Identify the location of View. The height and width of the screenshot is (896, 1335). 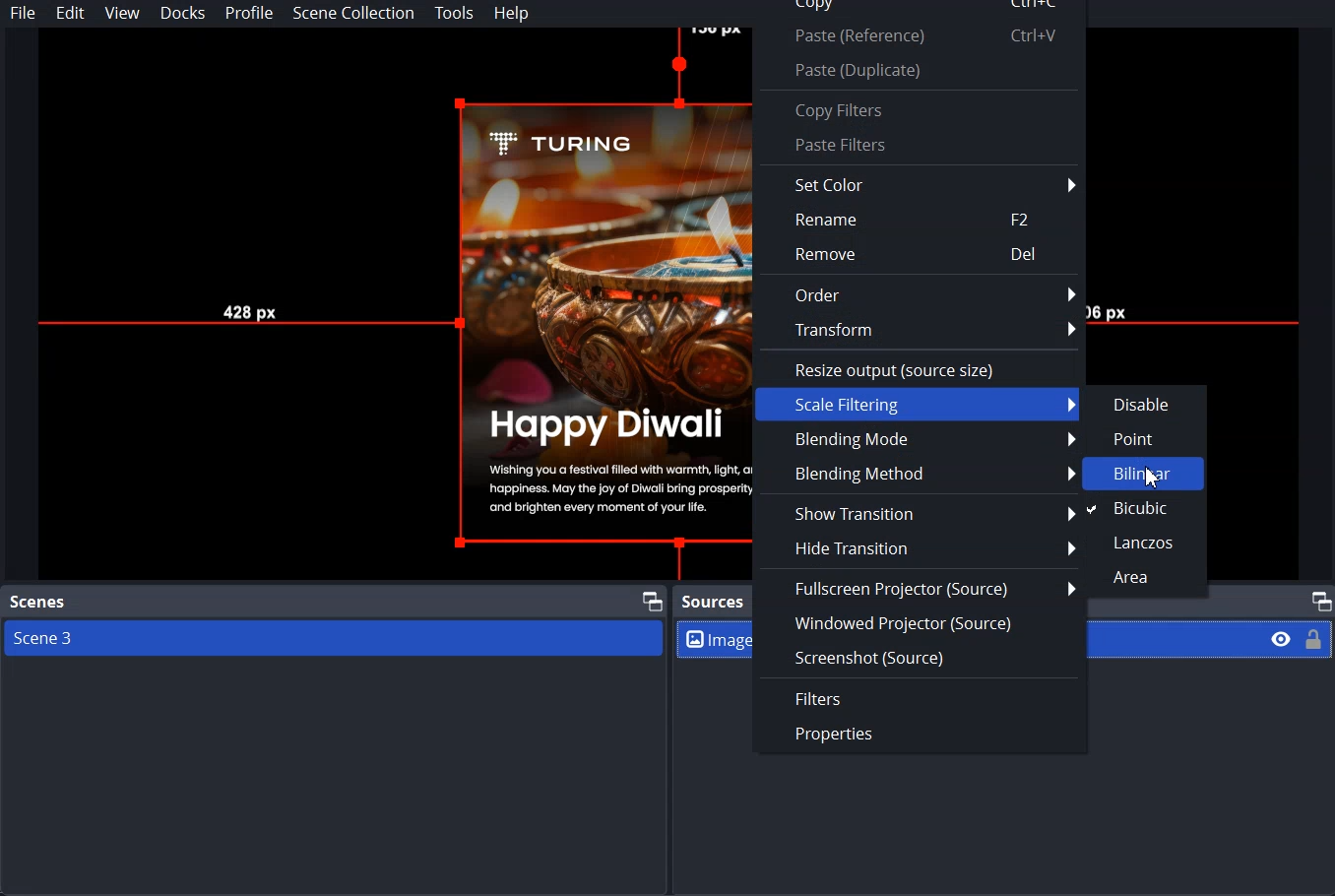
(122, 13).